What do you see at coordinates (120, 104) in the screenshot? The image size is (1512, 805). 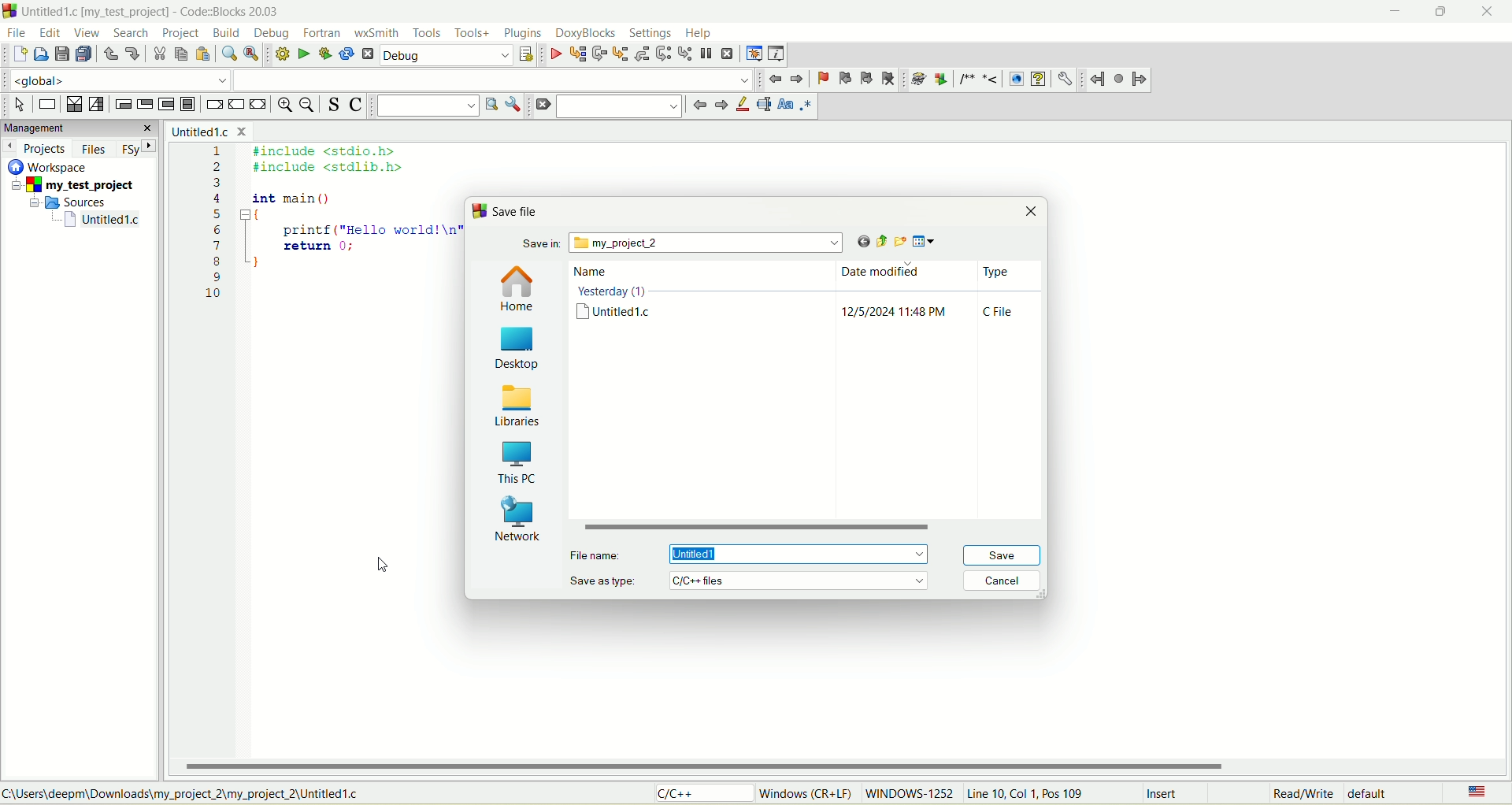 I see `entry condition loop` at bounding box center [120, 104].